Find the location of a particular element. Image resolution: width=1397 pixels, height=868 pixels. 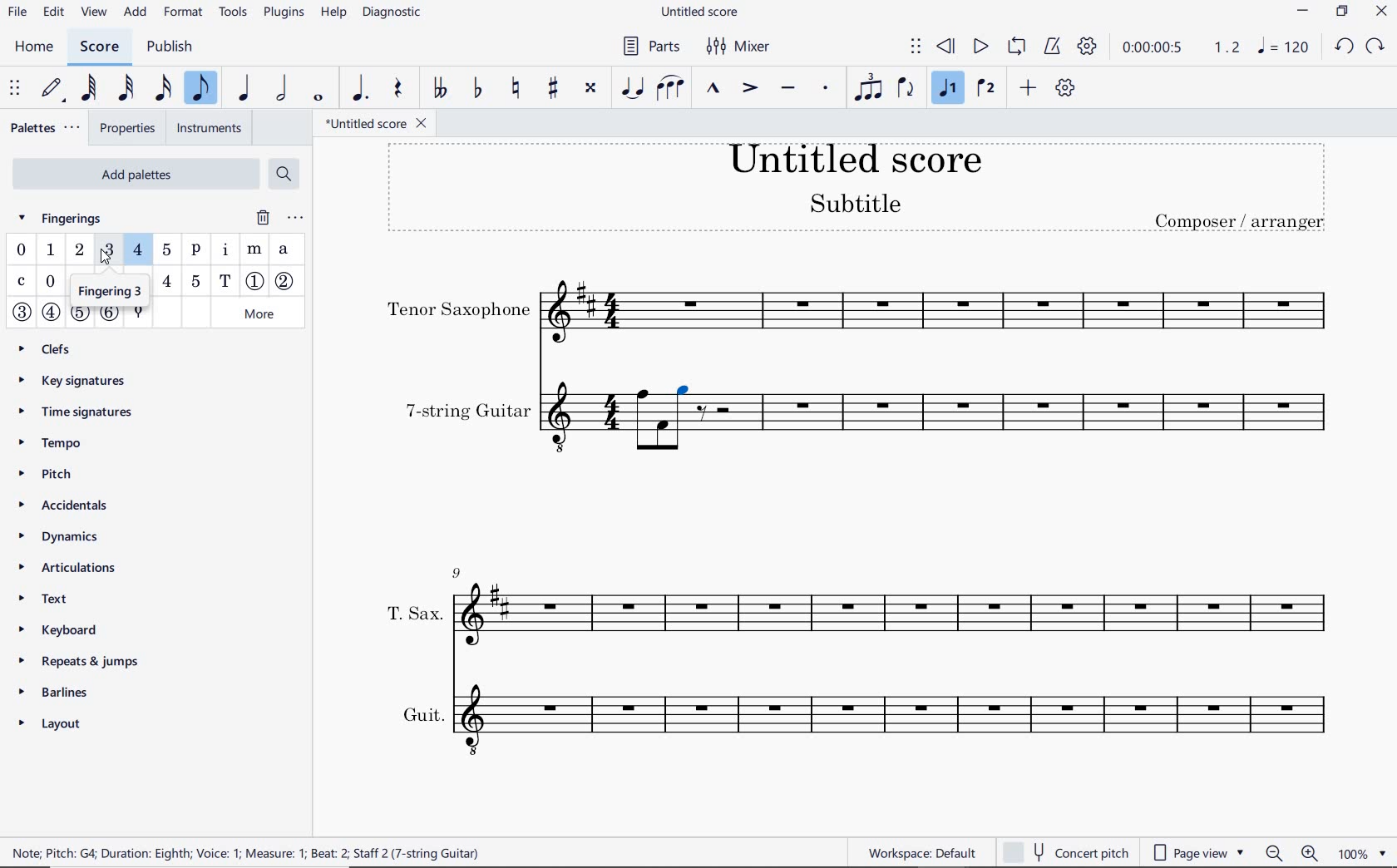

LOOP PLAYBACK is located at coordinates (1017, 46).